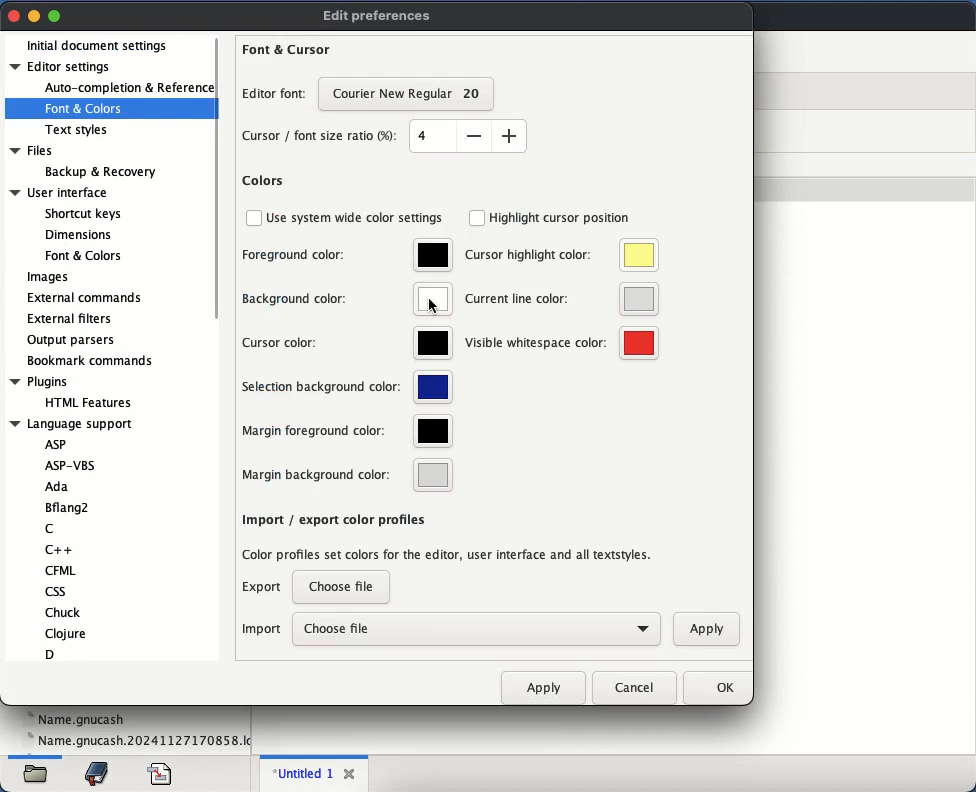 The width and height of the screenshot is (976, 792). Describe the element at coordinates (37, 776) in the screenshot. I see `file` at that location.